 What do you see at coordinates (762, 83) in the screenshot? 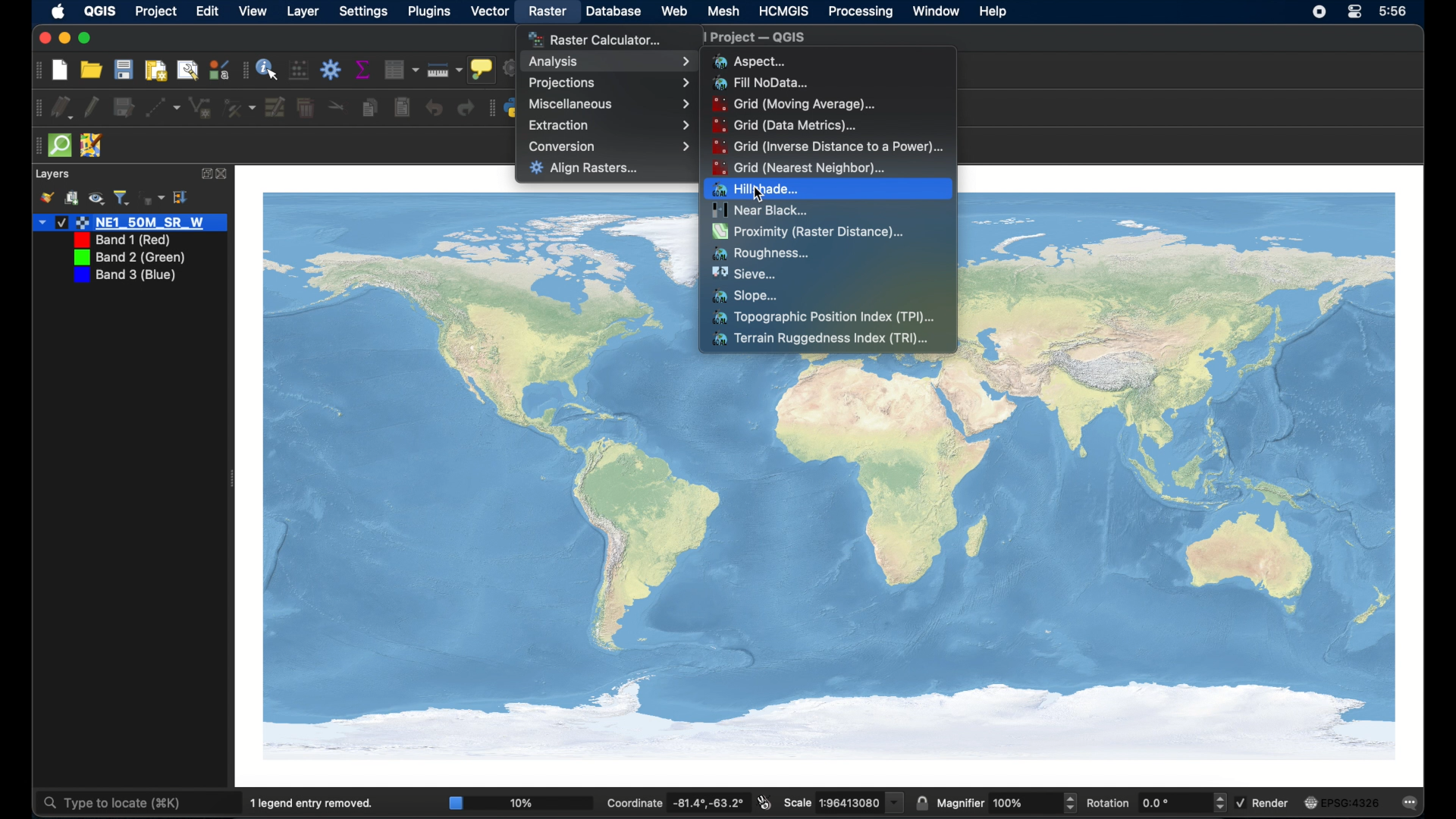
I see `fill nodata` at bounding box center [762, 83].